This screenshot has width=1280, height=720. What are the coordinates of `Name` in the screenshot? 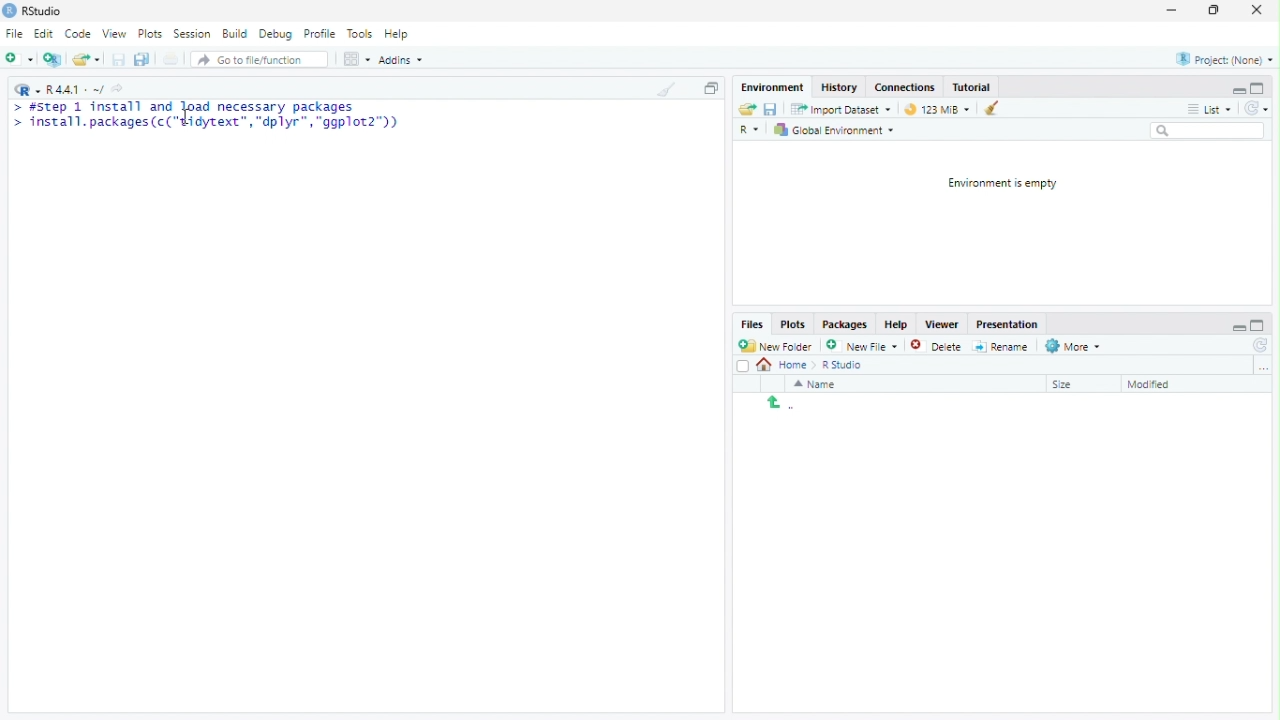 It's located at (817, 384).